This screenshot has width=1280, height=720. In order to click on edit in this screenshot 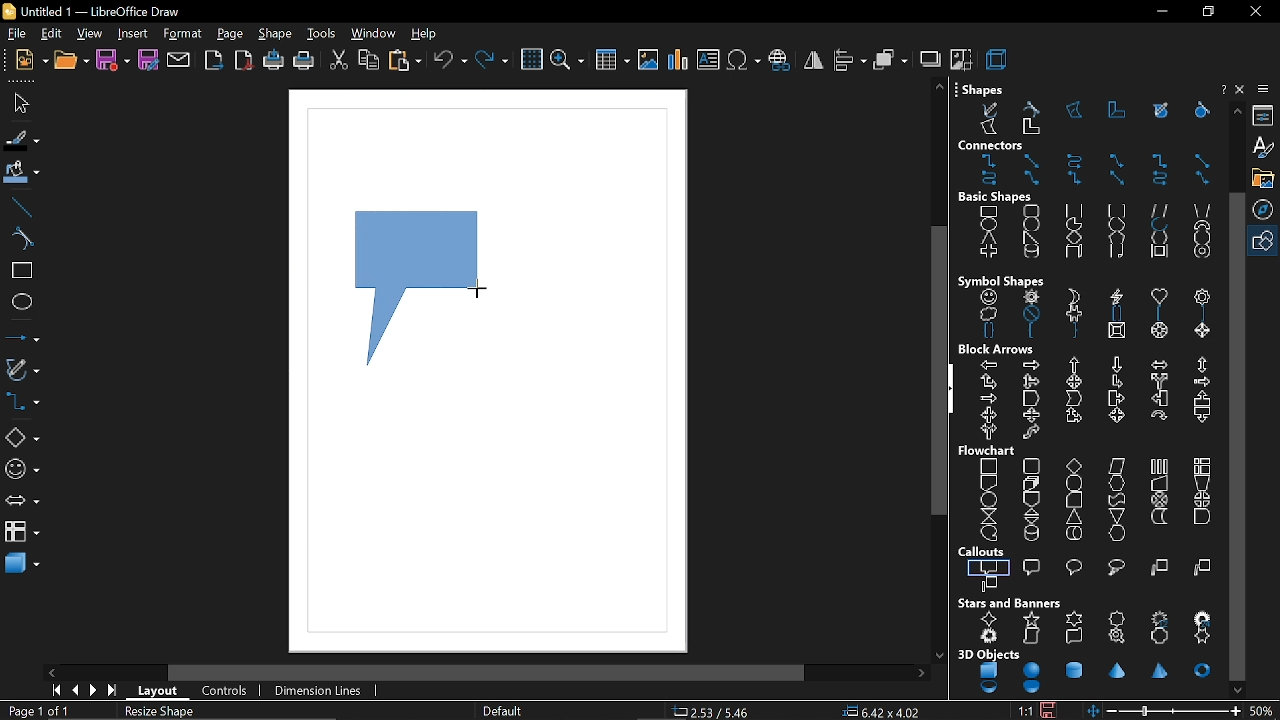, I will do `click(50, 34)`.